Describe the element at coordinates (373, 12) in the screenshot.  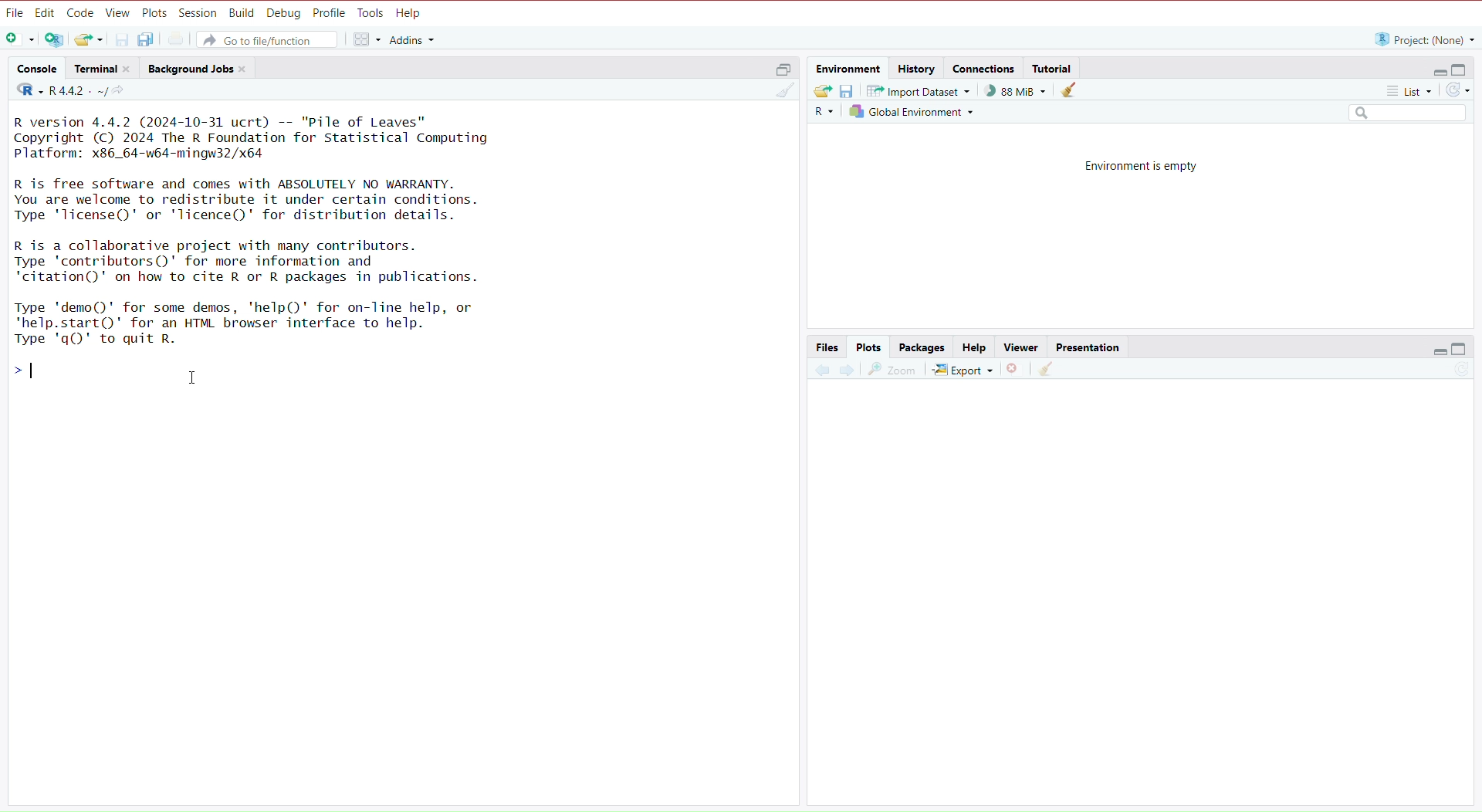
I see `Tools` at that location.